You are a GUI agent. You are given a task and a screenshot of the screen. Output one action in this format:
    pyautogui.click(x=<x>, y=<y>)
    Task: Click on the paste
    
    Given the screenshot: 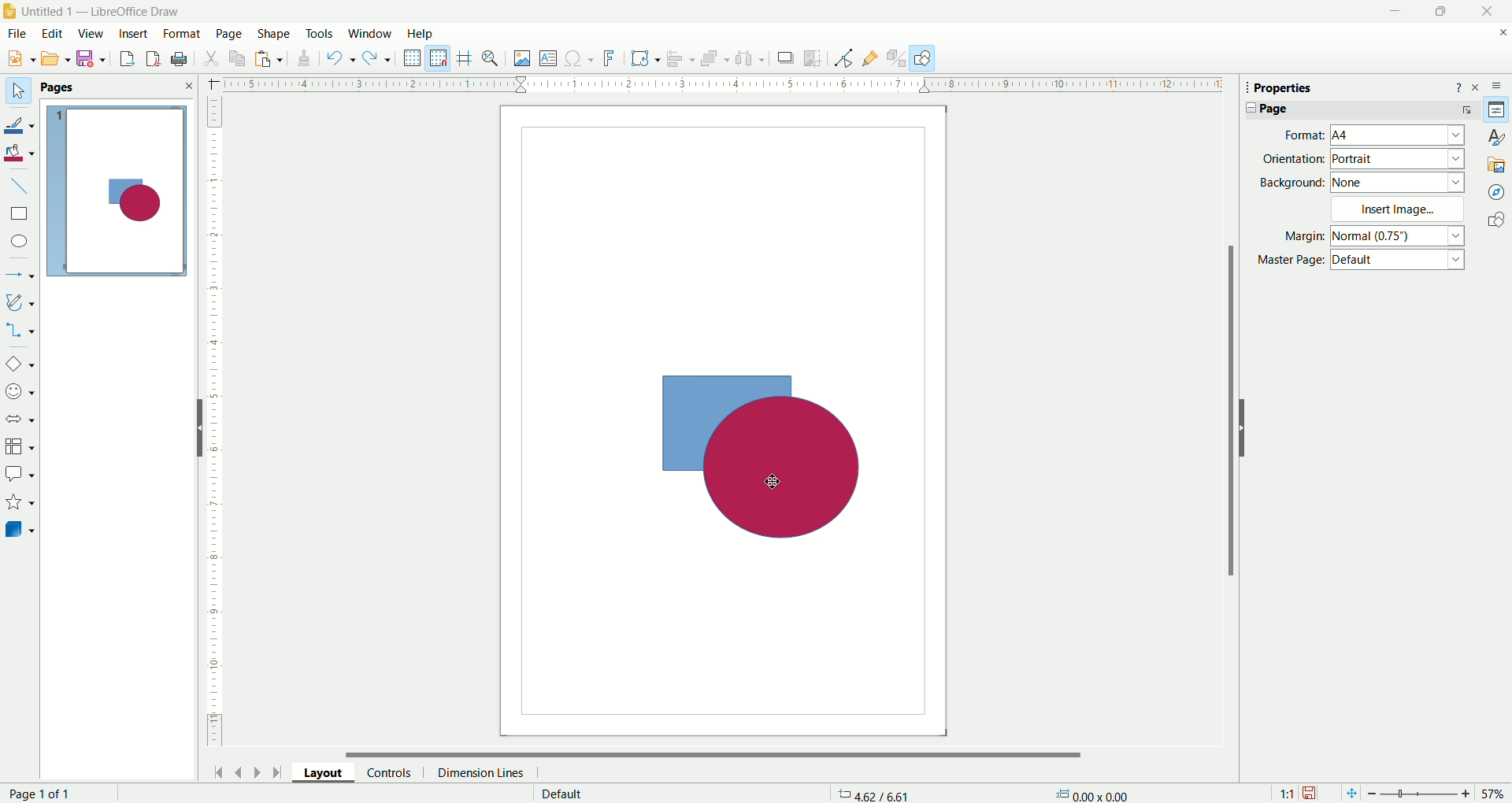 What is the action you would take?
    pyautogui.click(x=240, y=57)
    